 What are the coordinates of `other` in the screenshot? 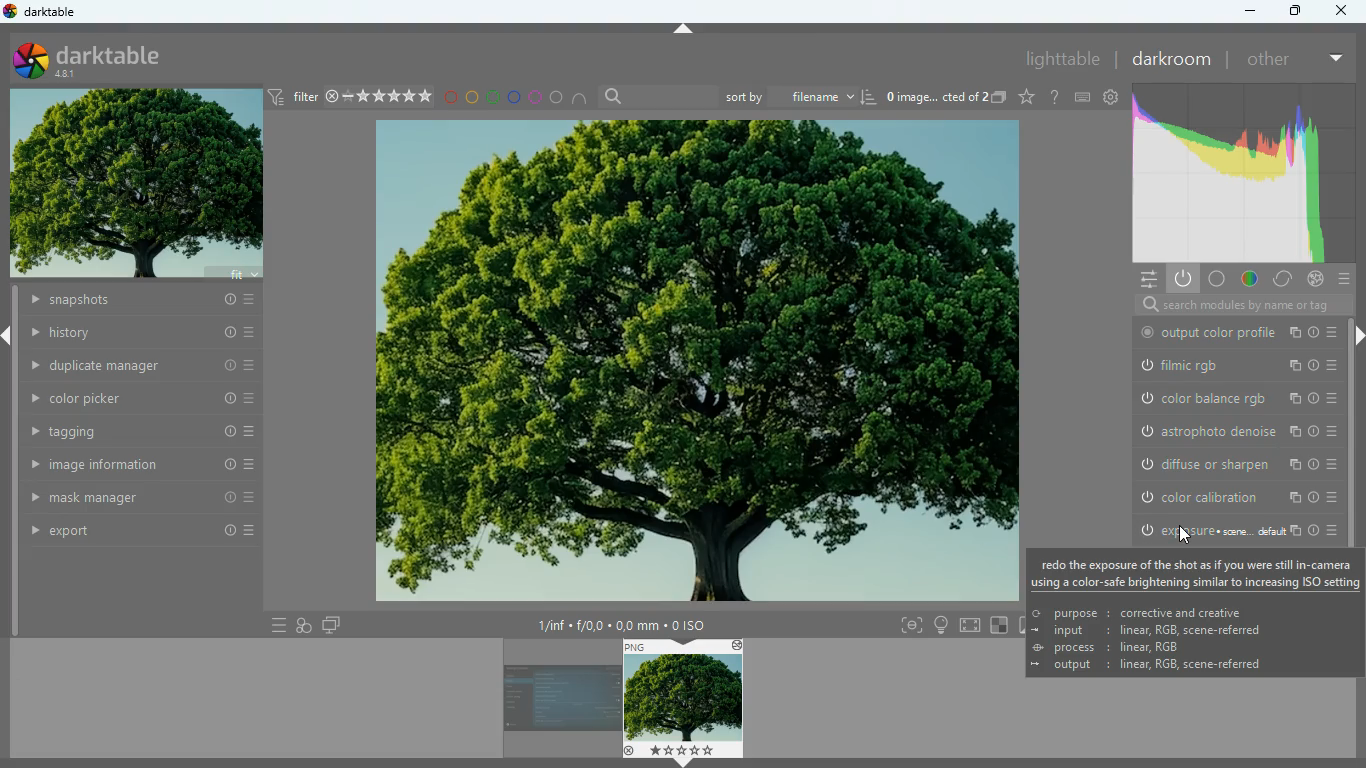 It's located at (1270, 61).